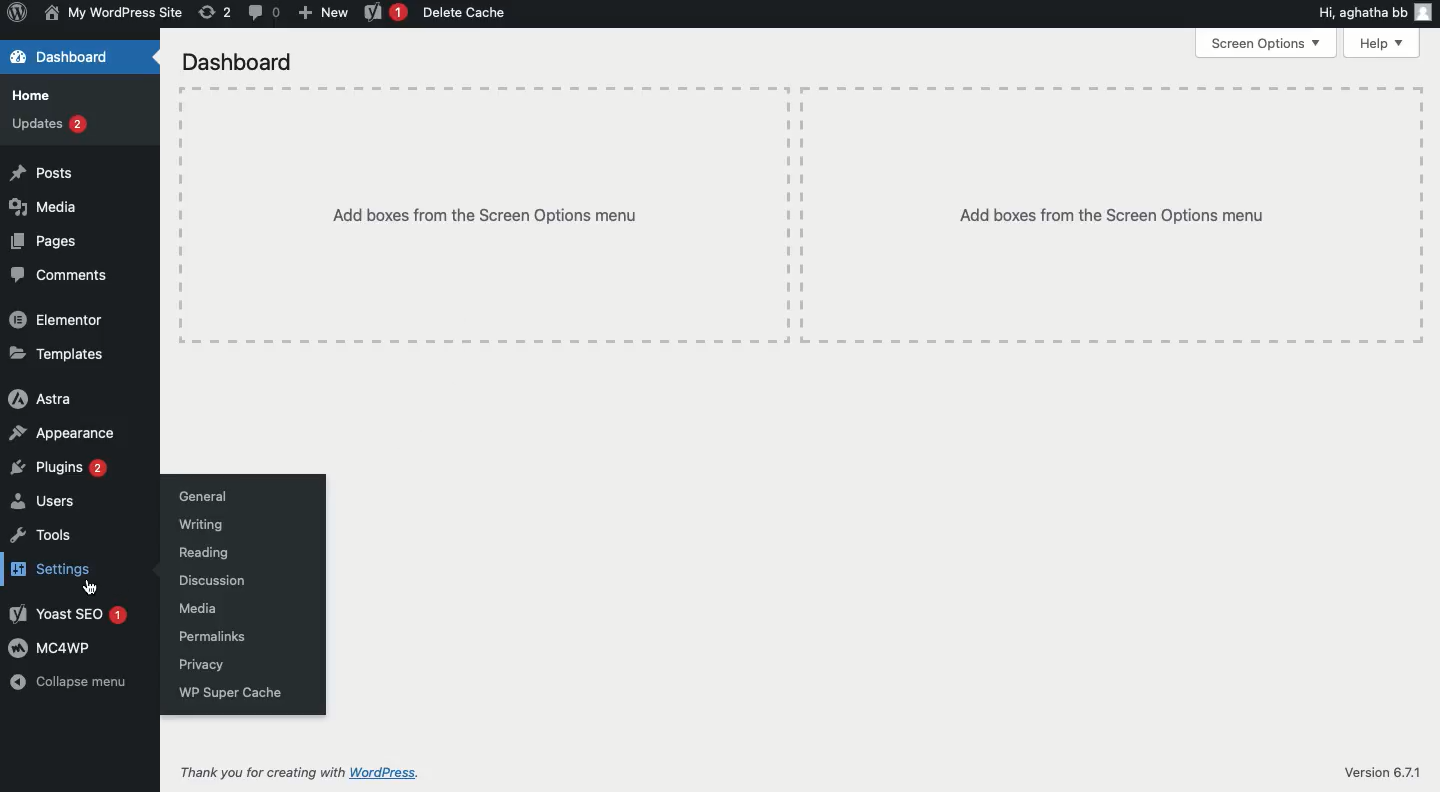  What do you see at coordinates (466, 14) in the screenshot?
I see `Delete cache` at bounding box center [466, 14].